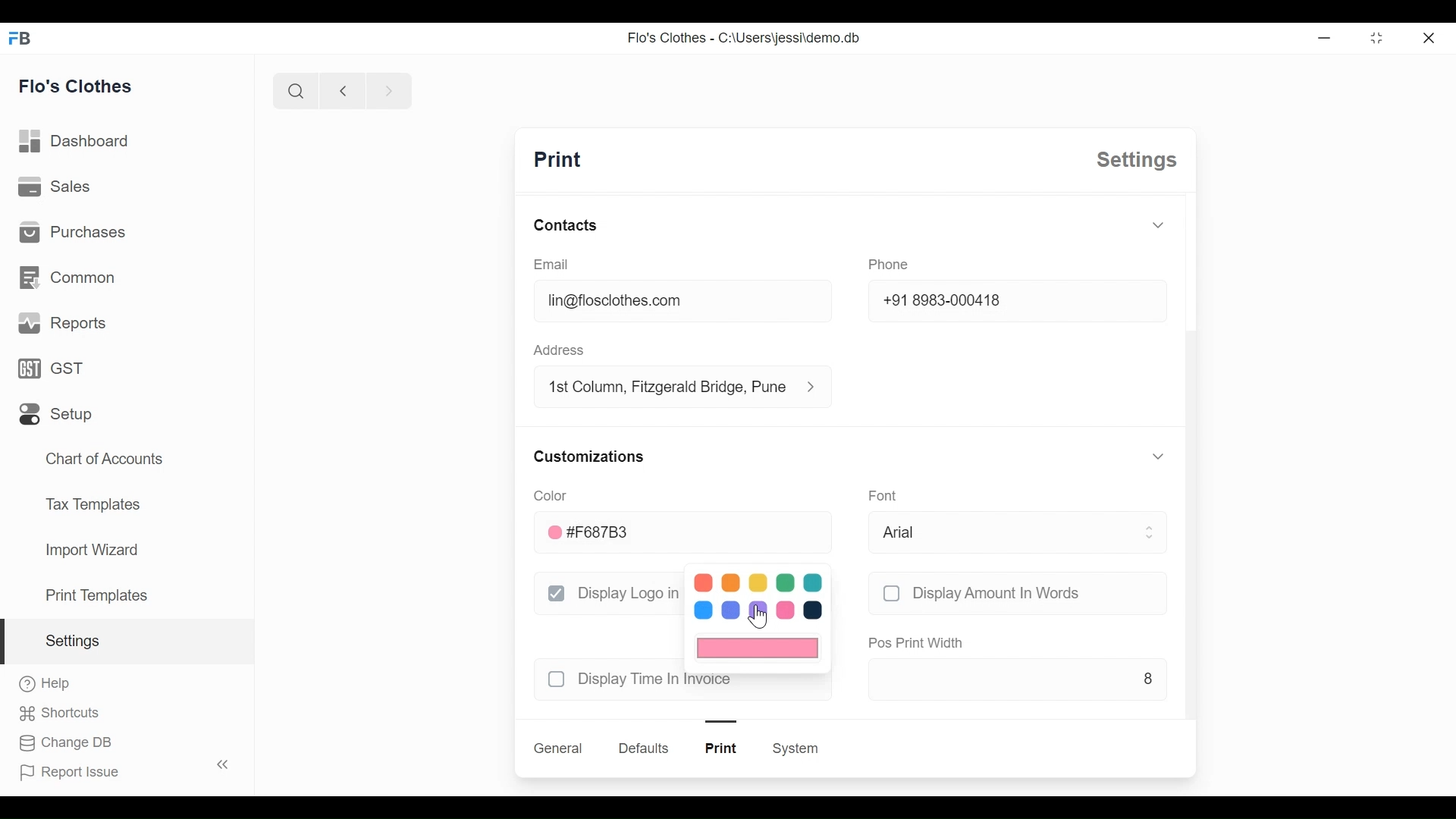 Image resolution: width=1456 pixels, height=819 pixels. I want to click on checkbox, so click(891, 593).